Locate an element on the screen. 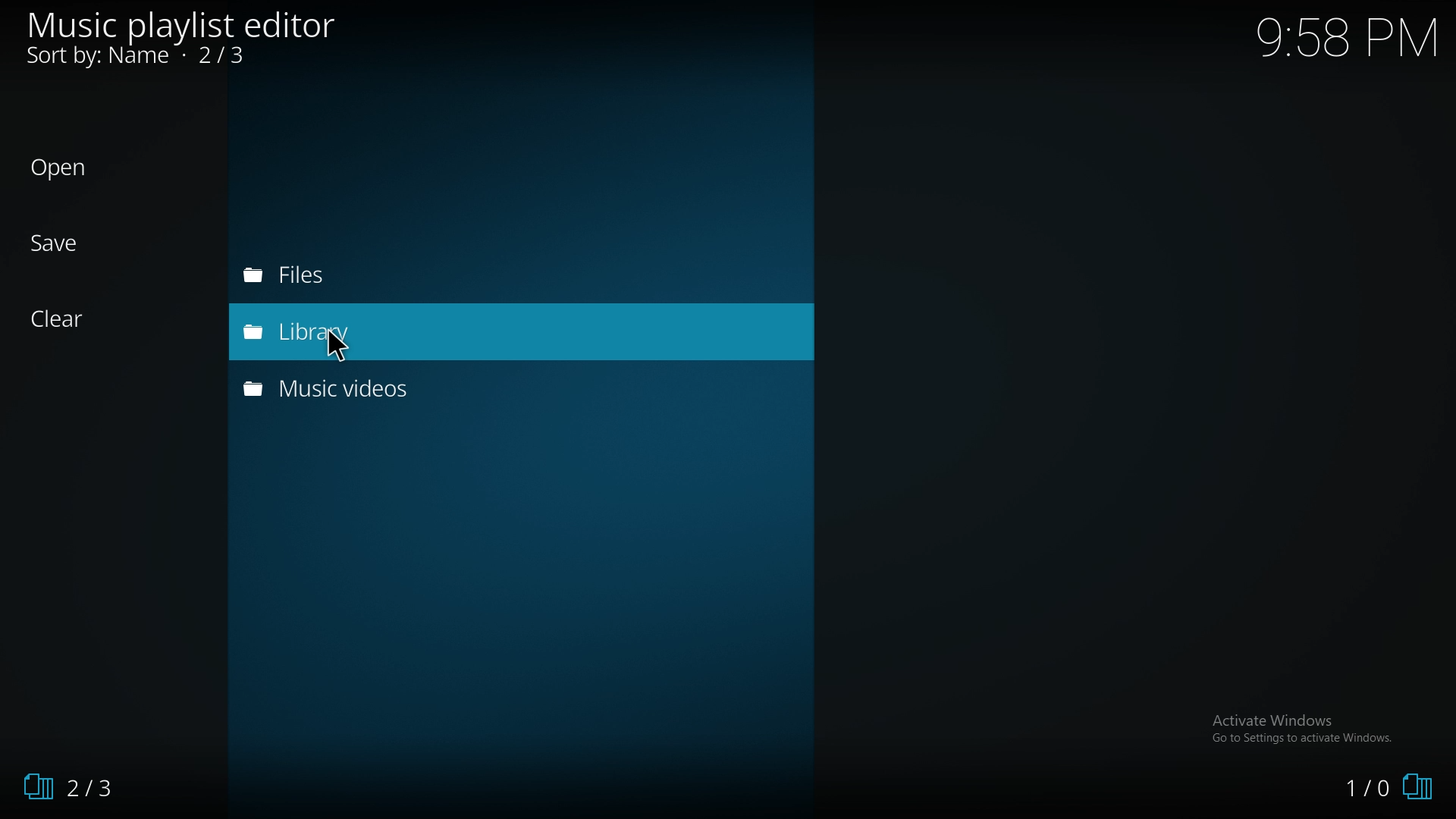  music videos is located at coordinates (374, 391).